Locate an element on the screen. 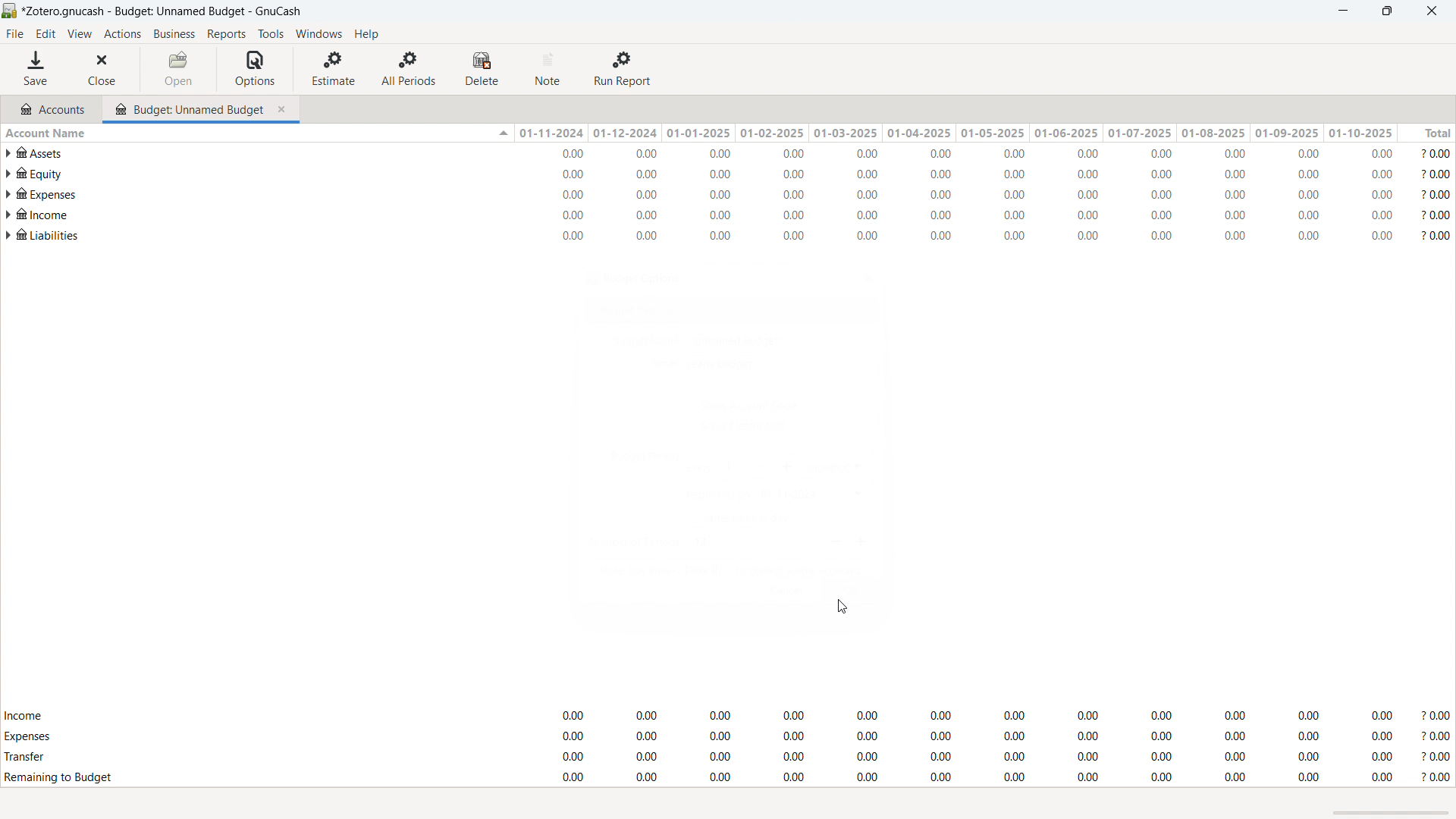 This screenshot has width=1456, height=819. Income totals is located at coordinates (728, 717).